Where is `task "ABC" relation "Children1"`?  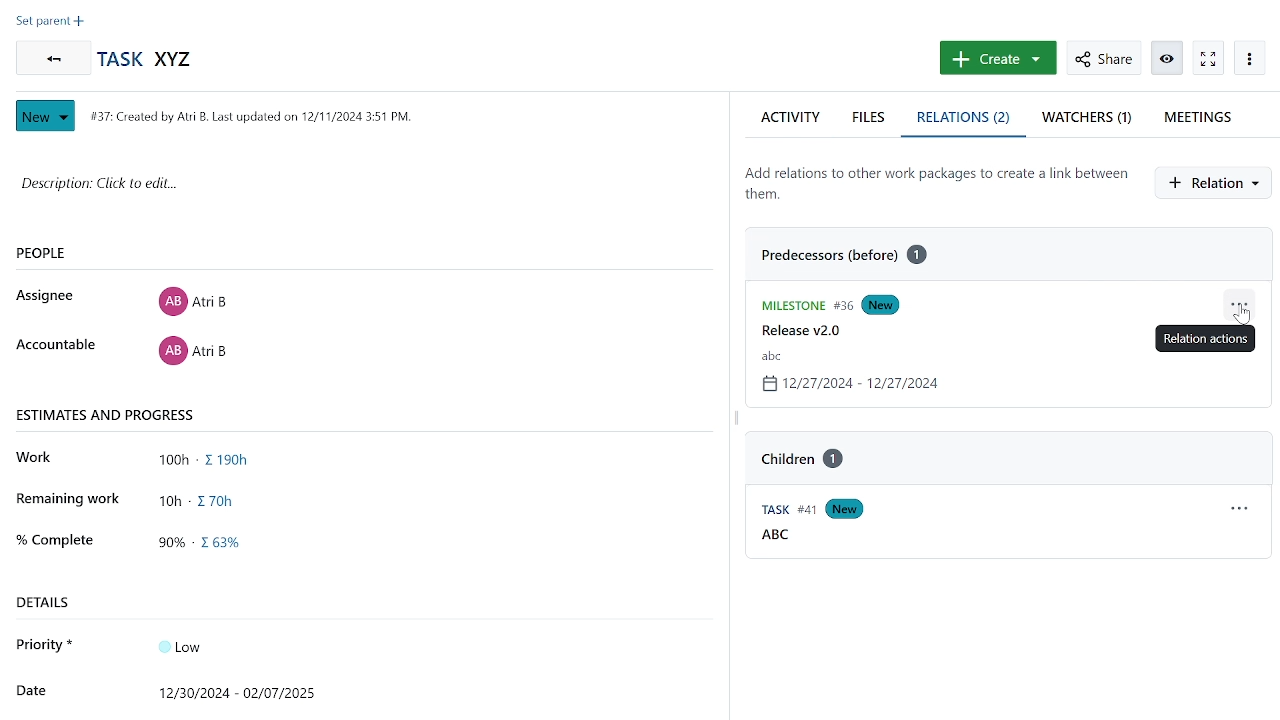 task "ABC" relation "Children1" is located at coordinates (798, 454).